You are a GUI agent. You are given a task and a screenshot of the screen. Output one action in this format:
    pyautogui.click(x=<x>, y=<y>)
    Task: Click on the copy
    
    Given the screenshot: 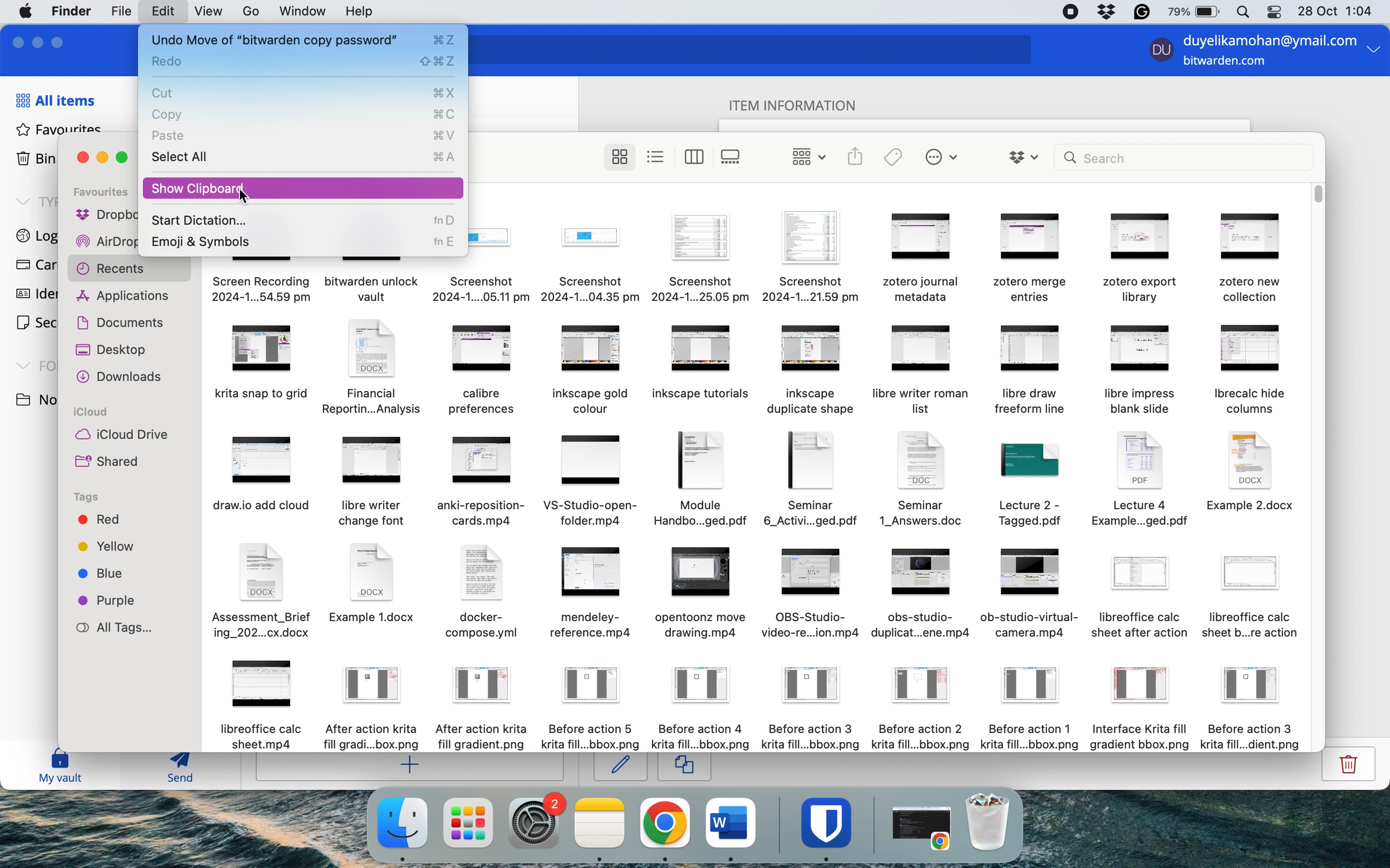 What is the action you would take?
    pyautogui.click(x=684, y=769)
    